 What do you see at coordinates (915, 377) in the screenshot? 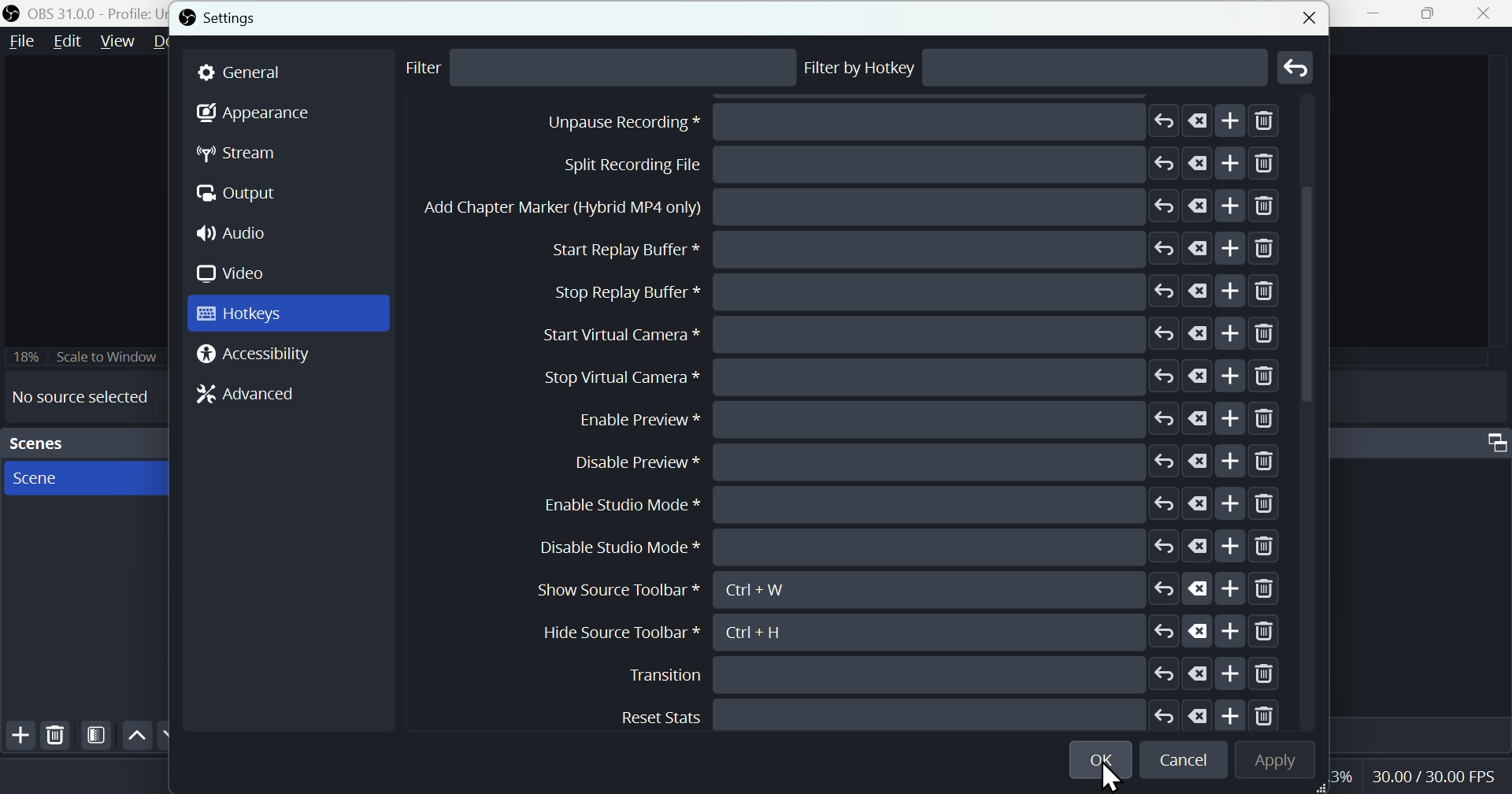
I see `Add chapter marker` at bounding box center [915, 377].